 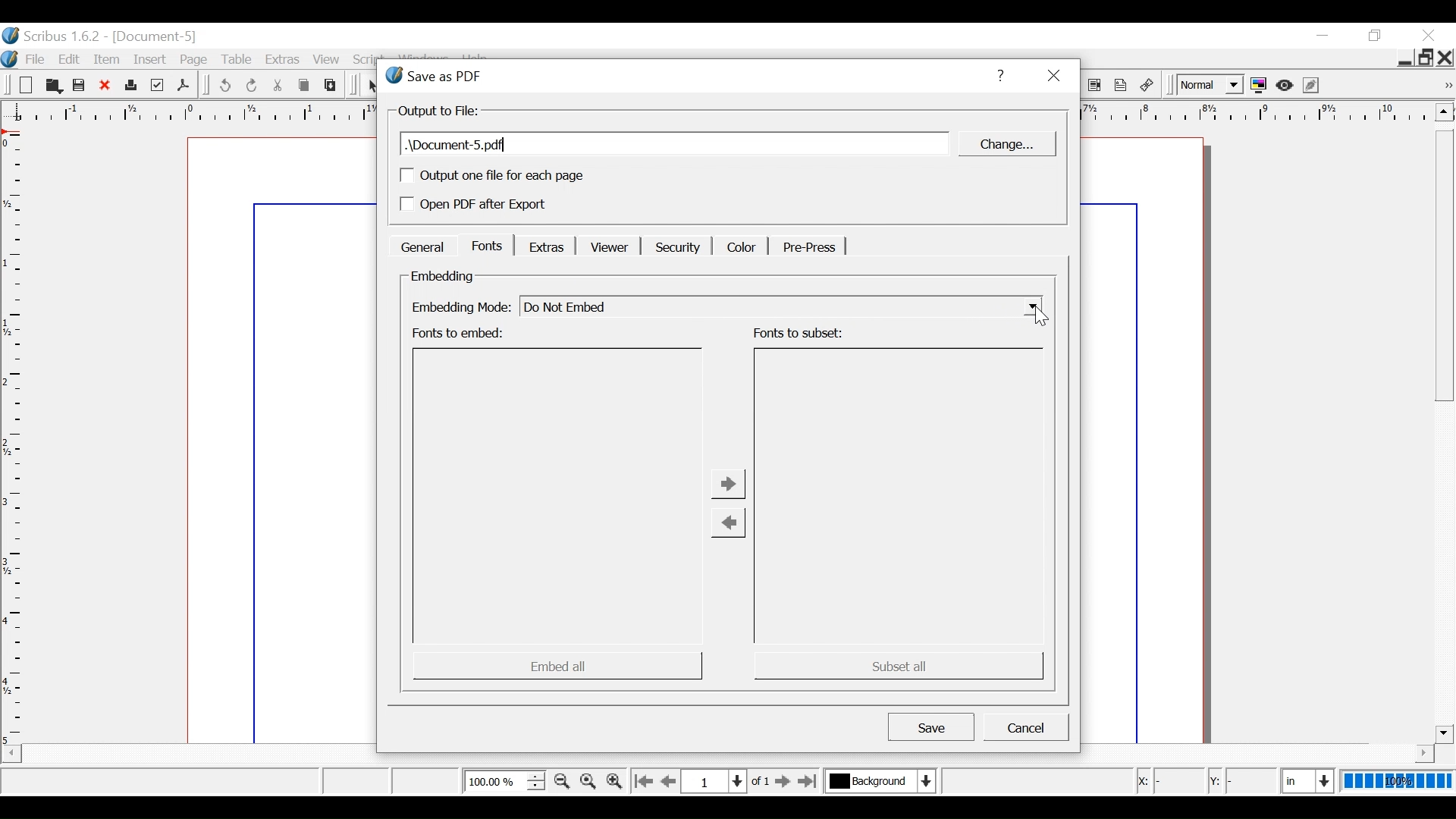 What do you see at coordinates (156, 37) in the screenshot?
I see `Document name` at bounding box center [156, 37].